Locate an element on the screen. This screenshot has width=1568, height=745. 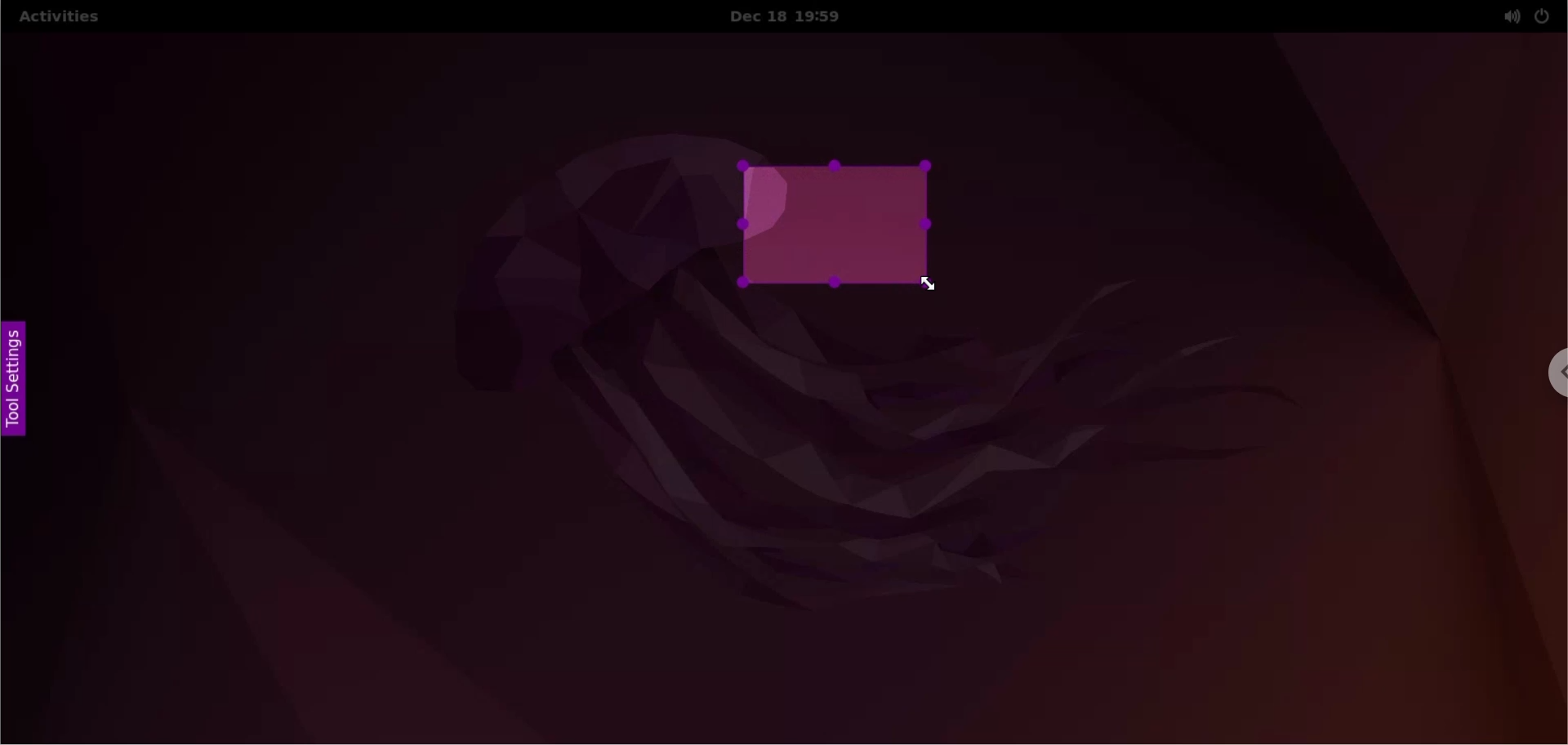
selected area is located at coordinates (839, 226).